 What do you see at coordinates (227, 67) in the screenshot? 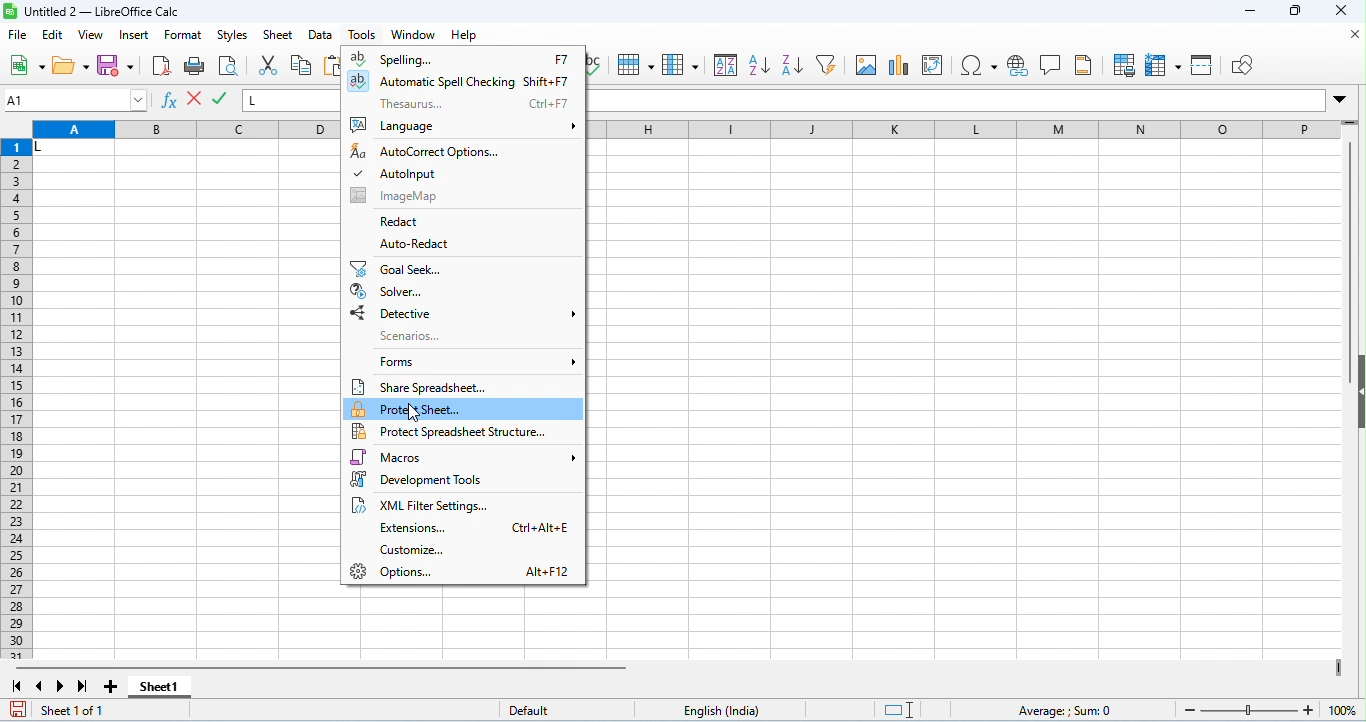
I see `print preview` at bounding box center [227, 67].